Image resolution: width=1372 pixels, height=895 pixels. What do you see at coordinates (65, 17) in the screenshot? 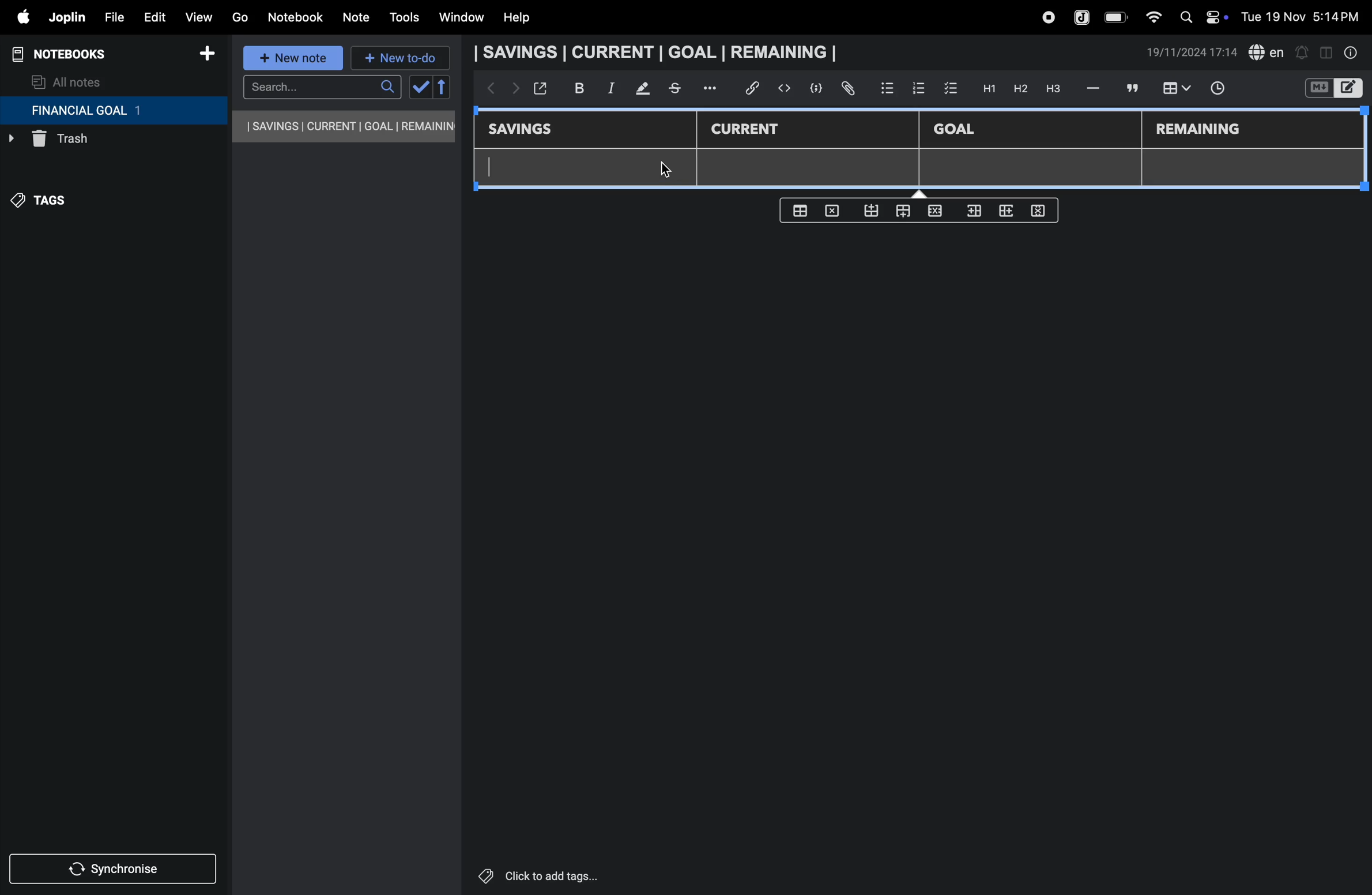
I see `joplin menu` at bounding box center [65, 17].